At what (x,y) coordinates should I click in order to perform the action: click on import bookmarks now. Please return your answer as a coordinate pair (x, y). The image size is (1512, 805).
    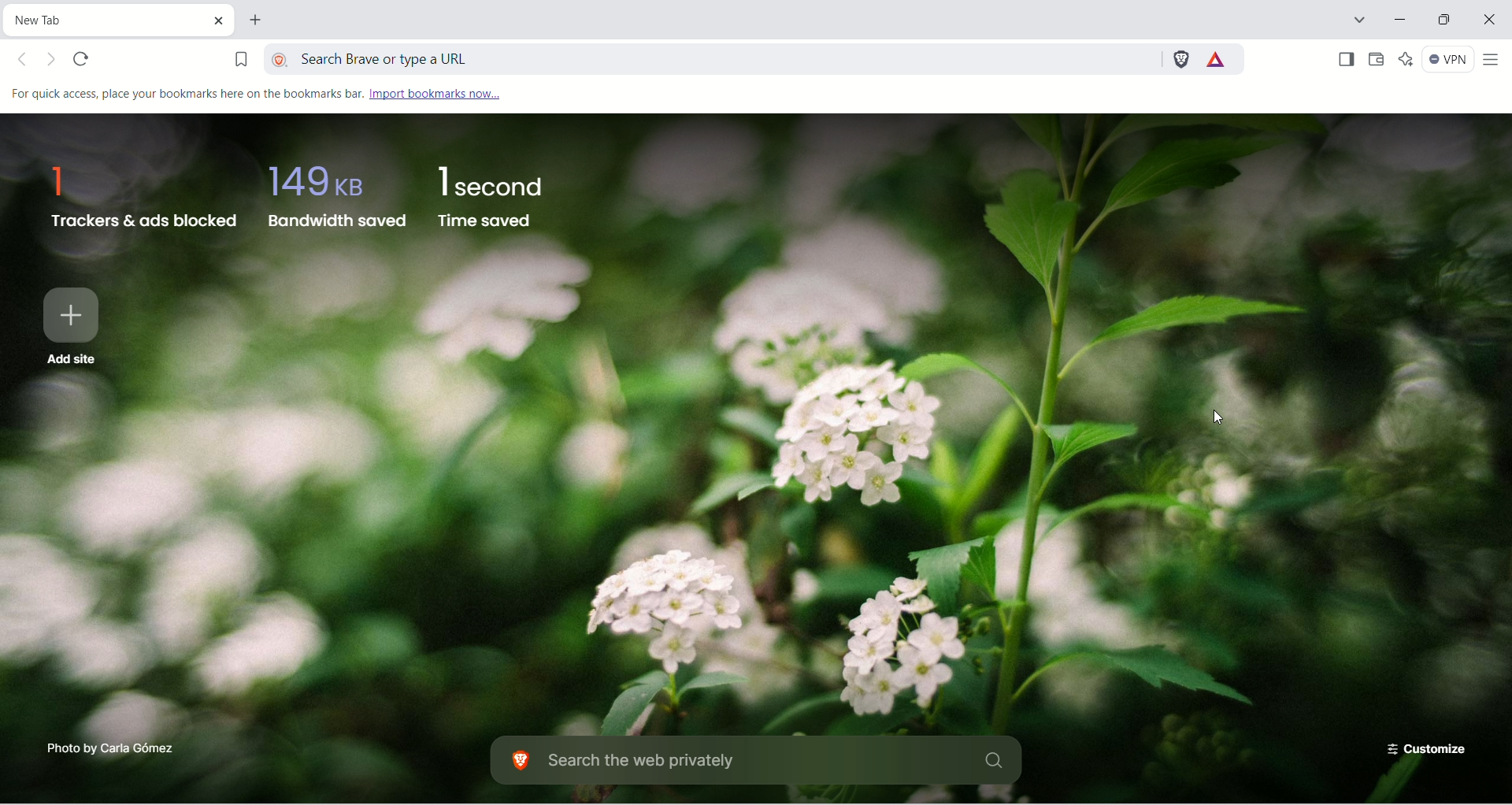
    Looking at the image, I should click on (437, 92).